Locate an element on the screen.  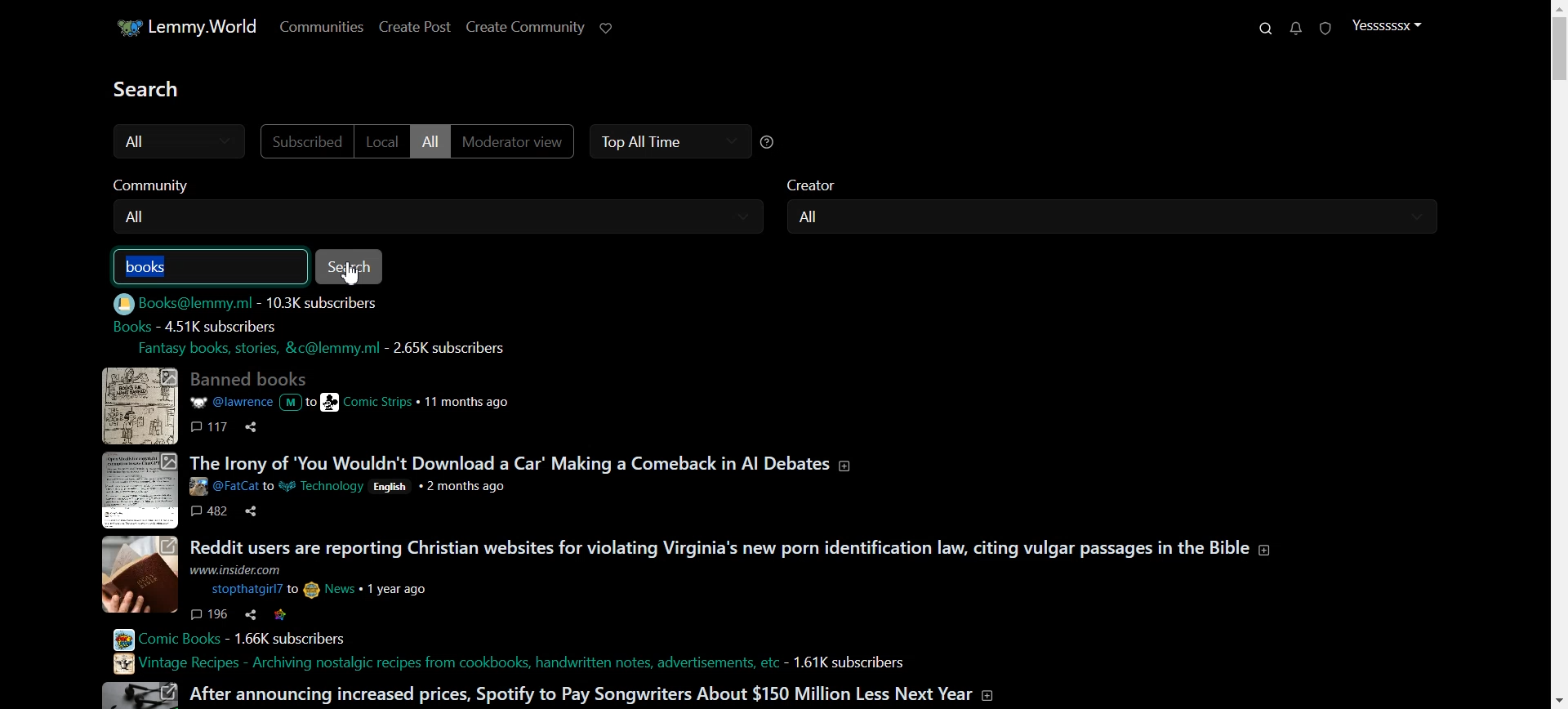
Create Community is located at coordinates (534, 25).